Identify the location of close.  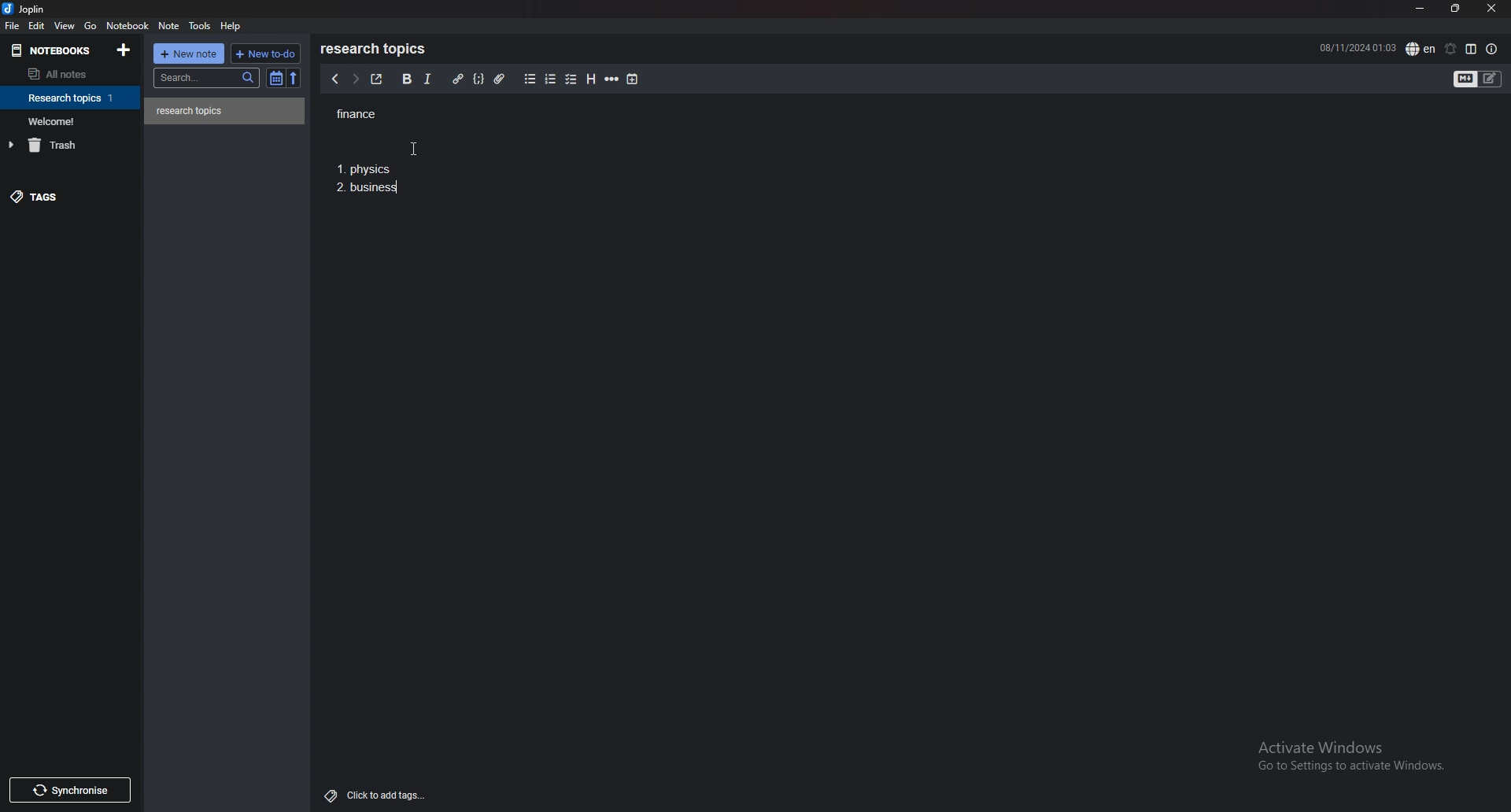
(1491, 9).